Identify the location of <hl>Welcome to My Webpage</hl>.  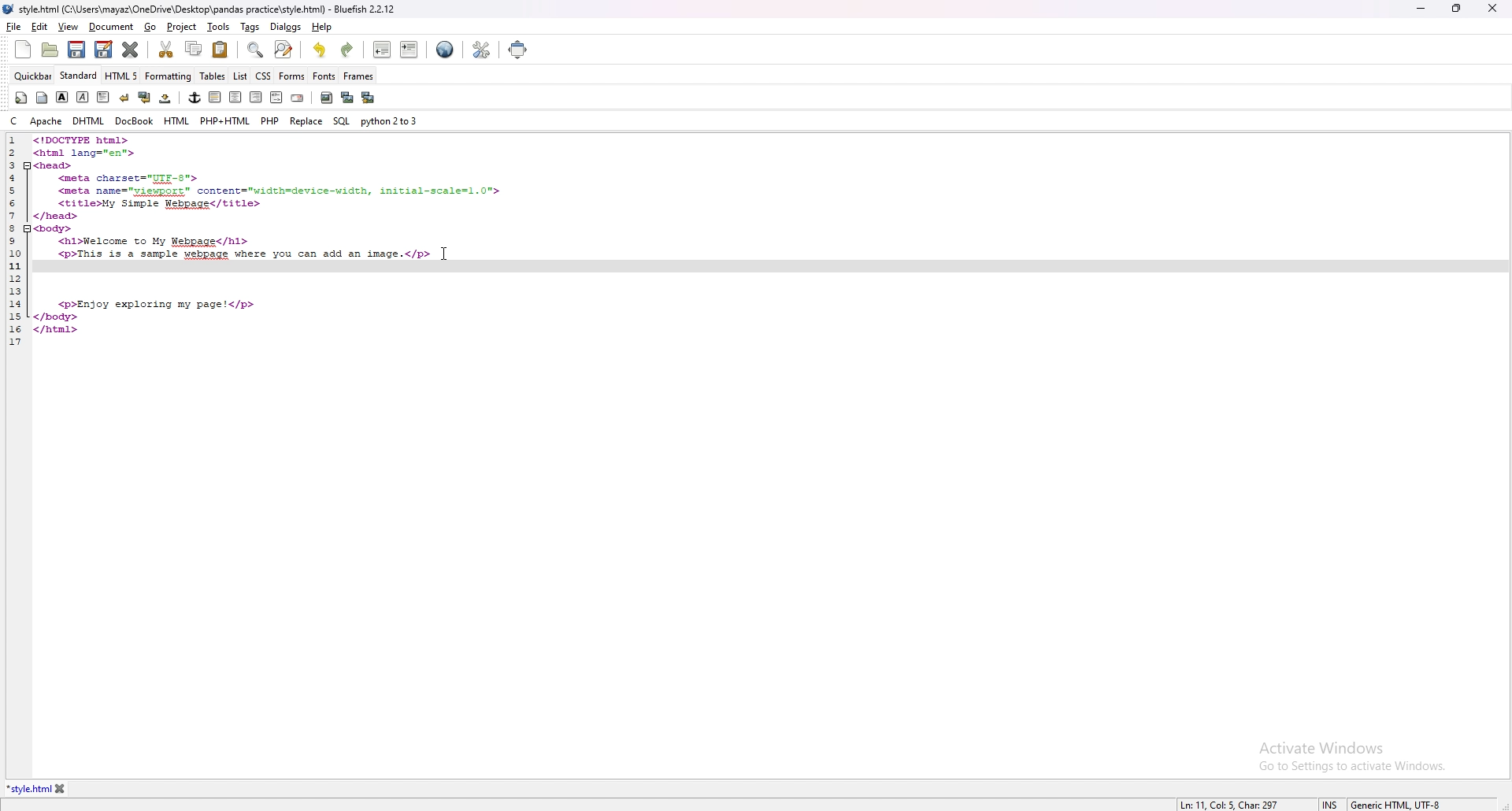
(154, 243).